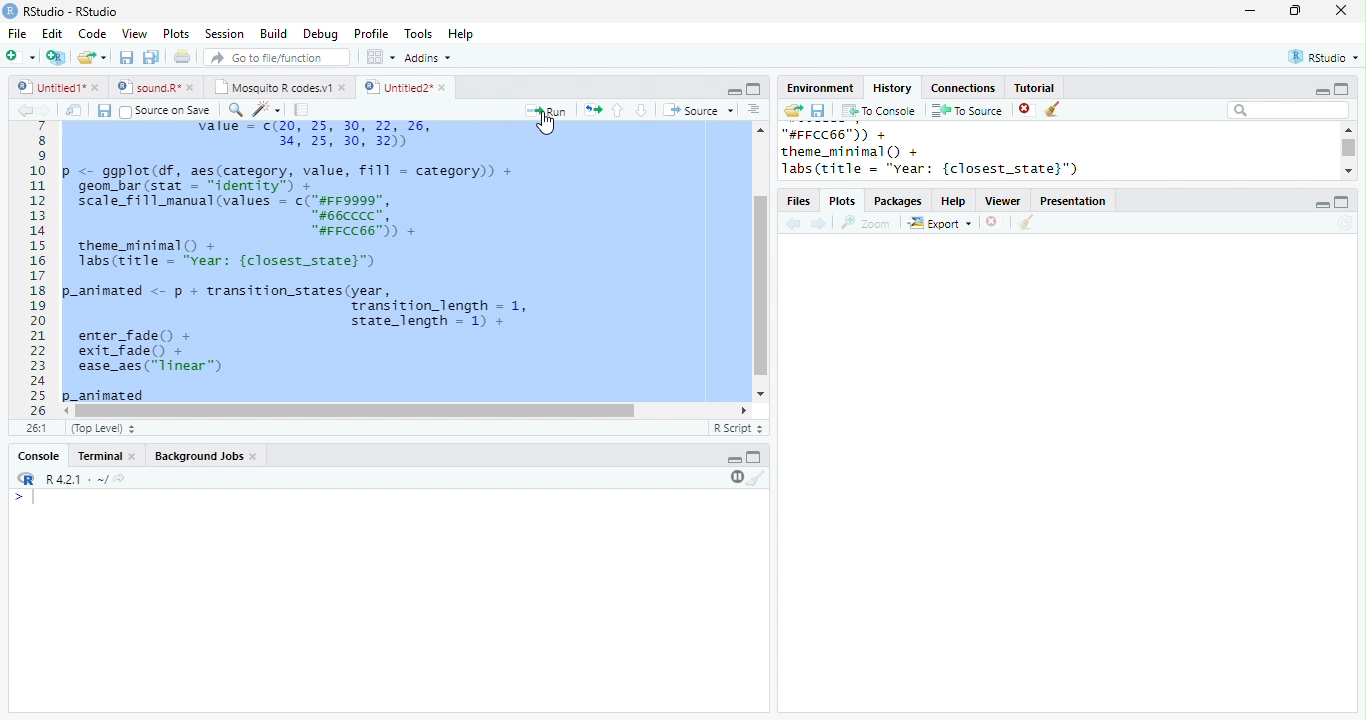 The image size is (1366, 720). I want to click on close, so click(256, 458).